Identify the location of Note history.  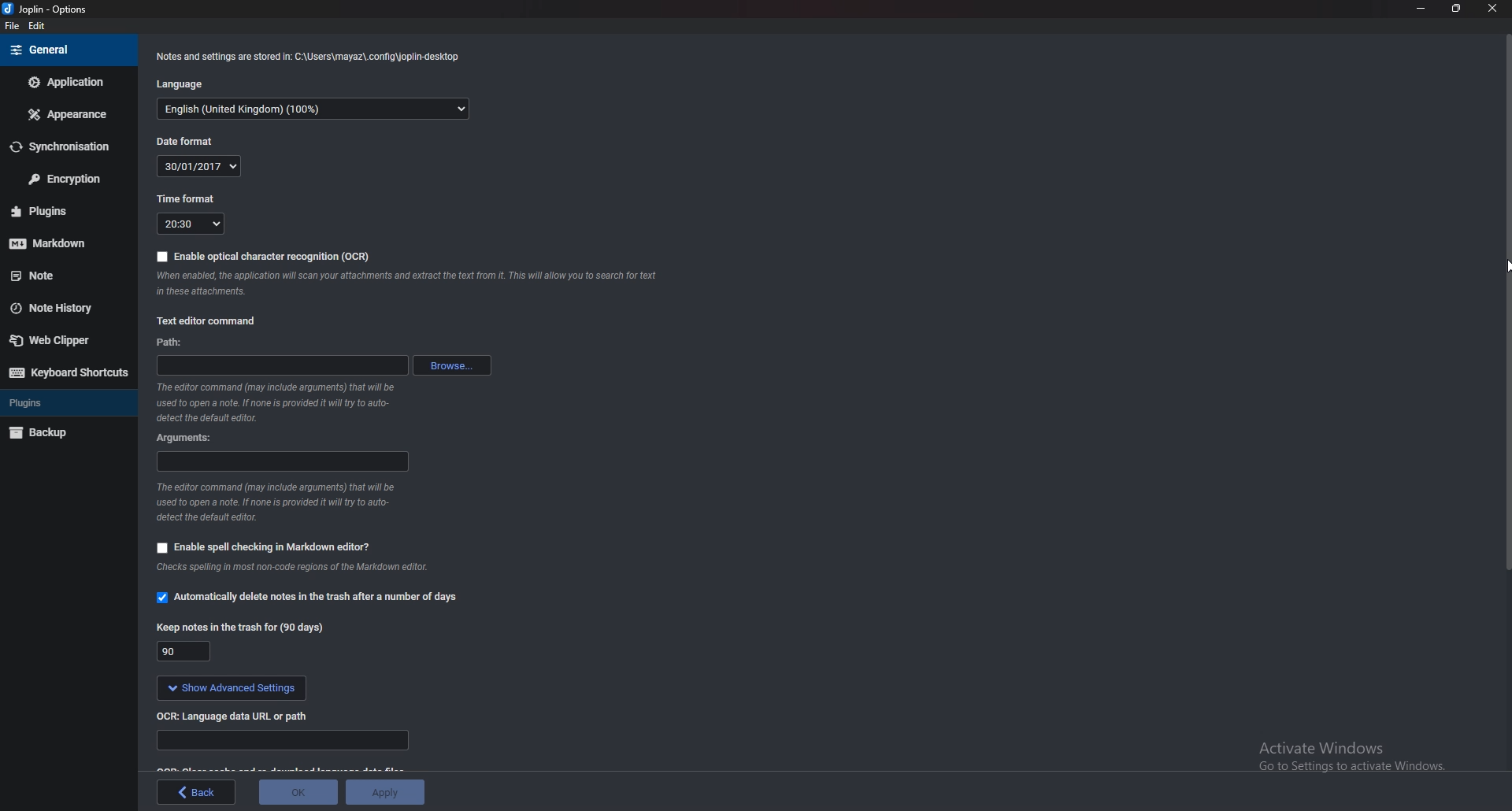
(61, 309).